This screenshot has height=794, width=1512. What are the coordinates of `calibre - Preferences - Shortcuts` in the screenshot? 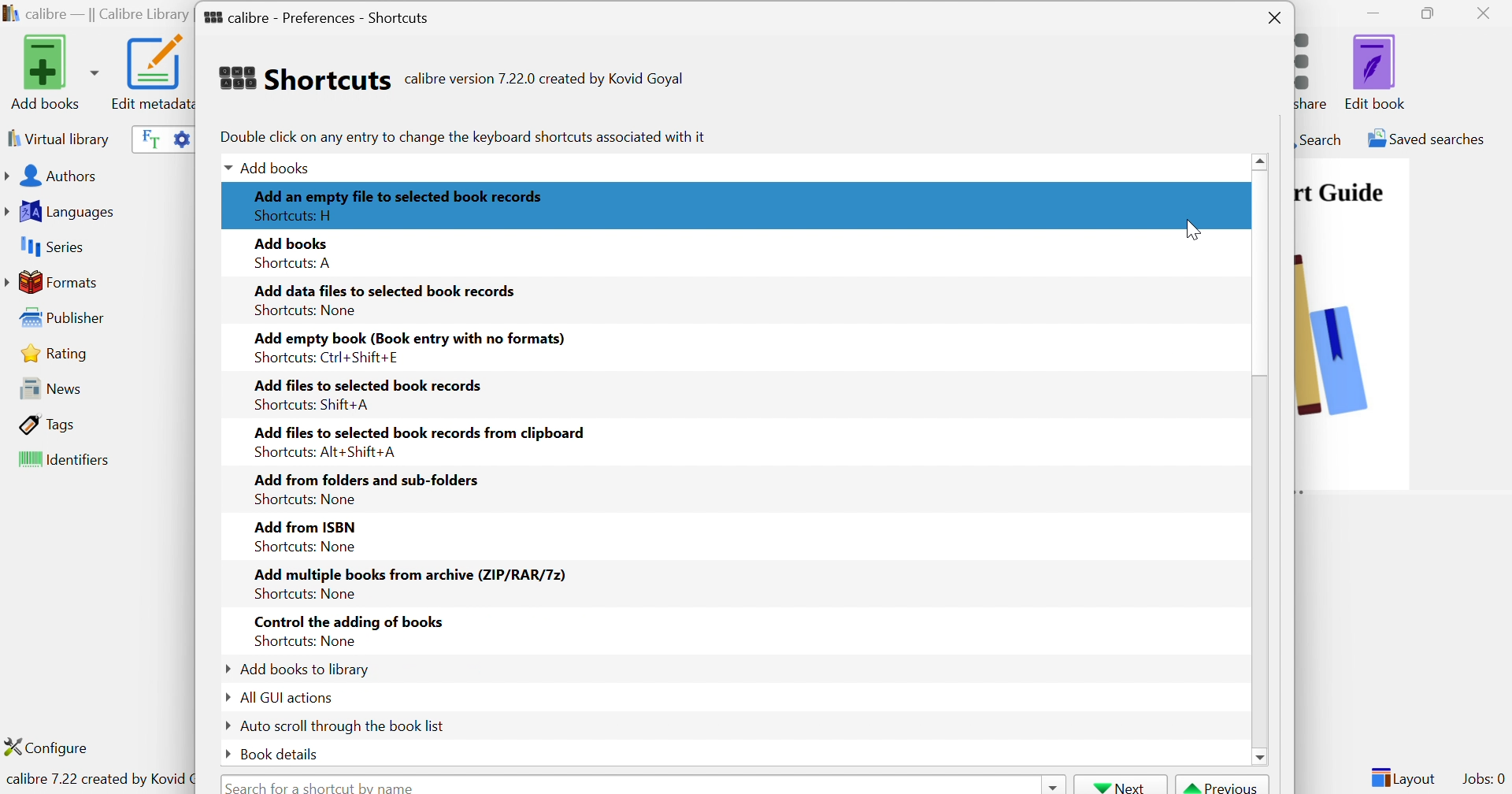 It's located at (317, 14).